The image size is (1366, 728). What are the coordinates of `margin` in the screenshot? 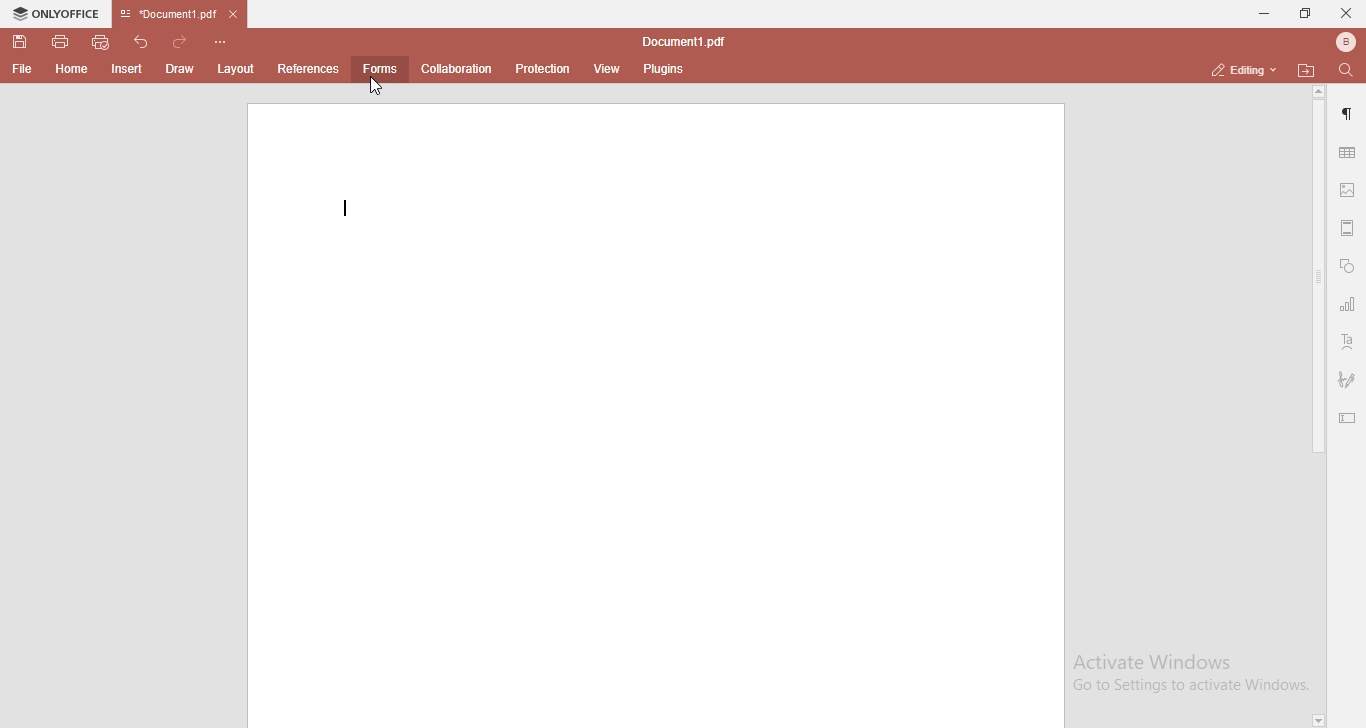 It's located at (1348, 226).